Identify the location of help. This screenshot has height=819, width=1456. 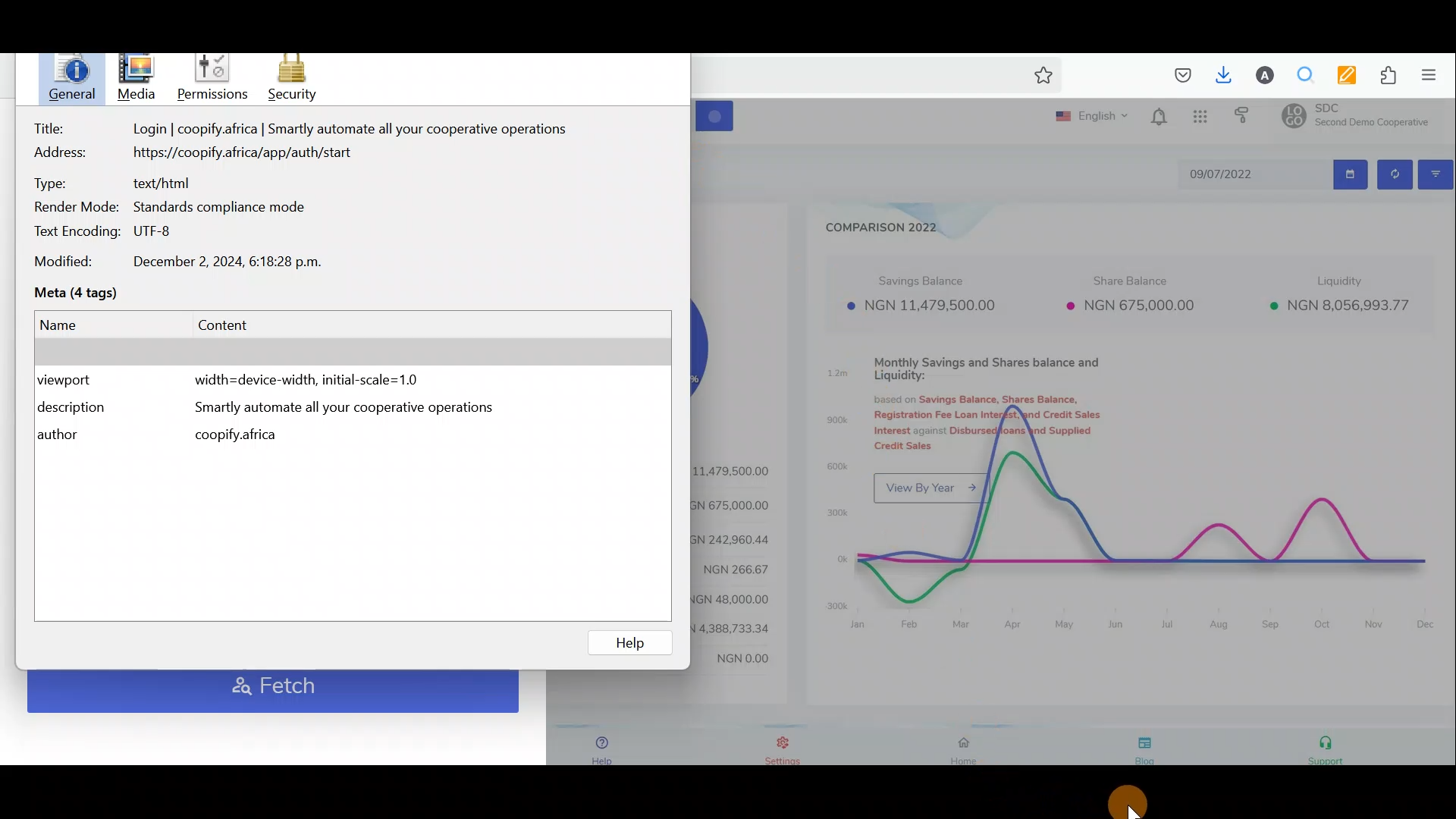
(612, 642).